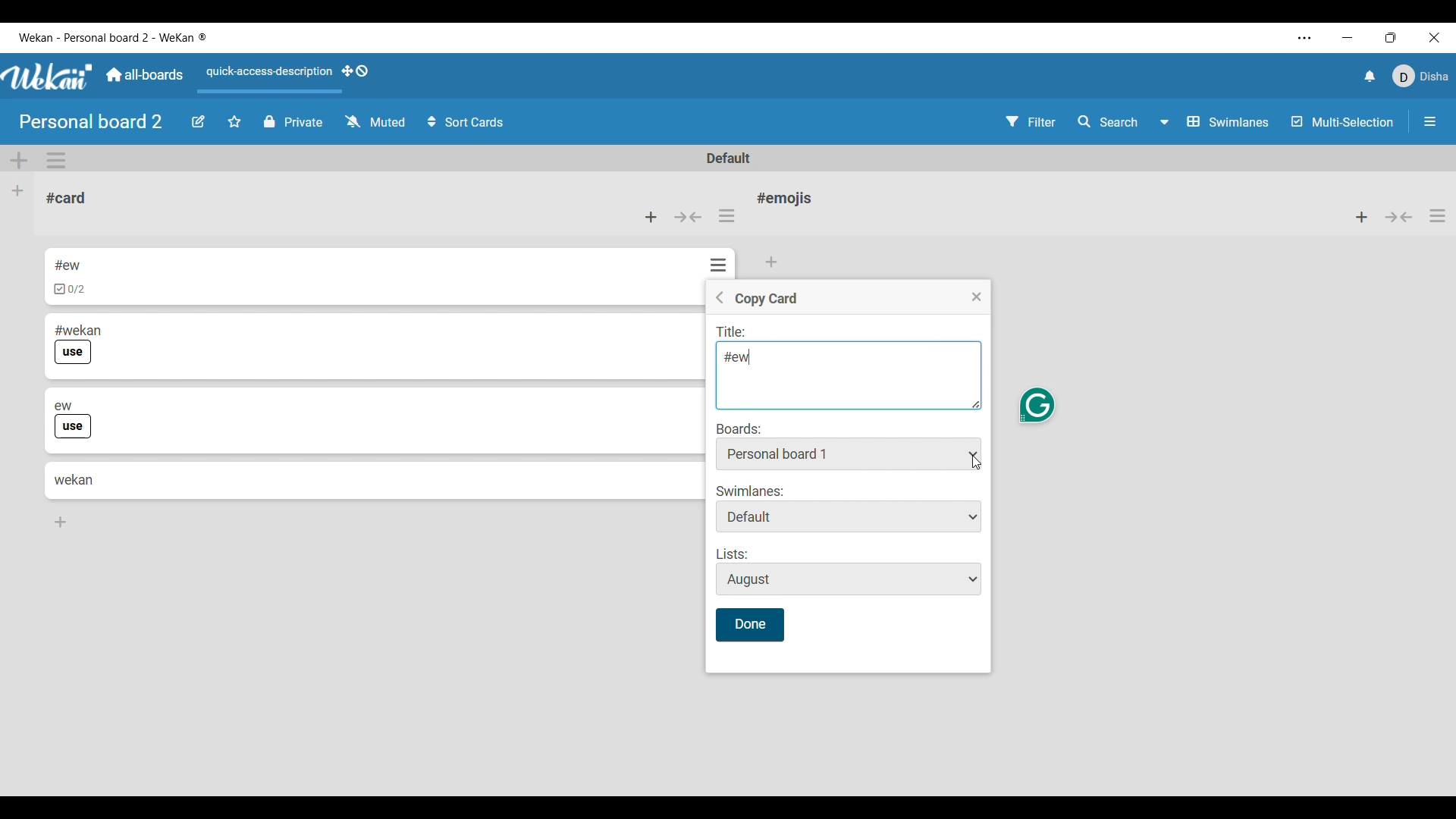 The width and height of the screenshot is (1456, 819). Describe the element at coordinates (775, 259) in the screenshot. I see `Add` at that location.